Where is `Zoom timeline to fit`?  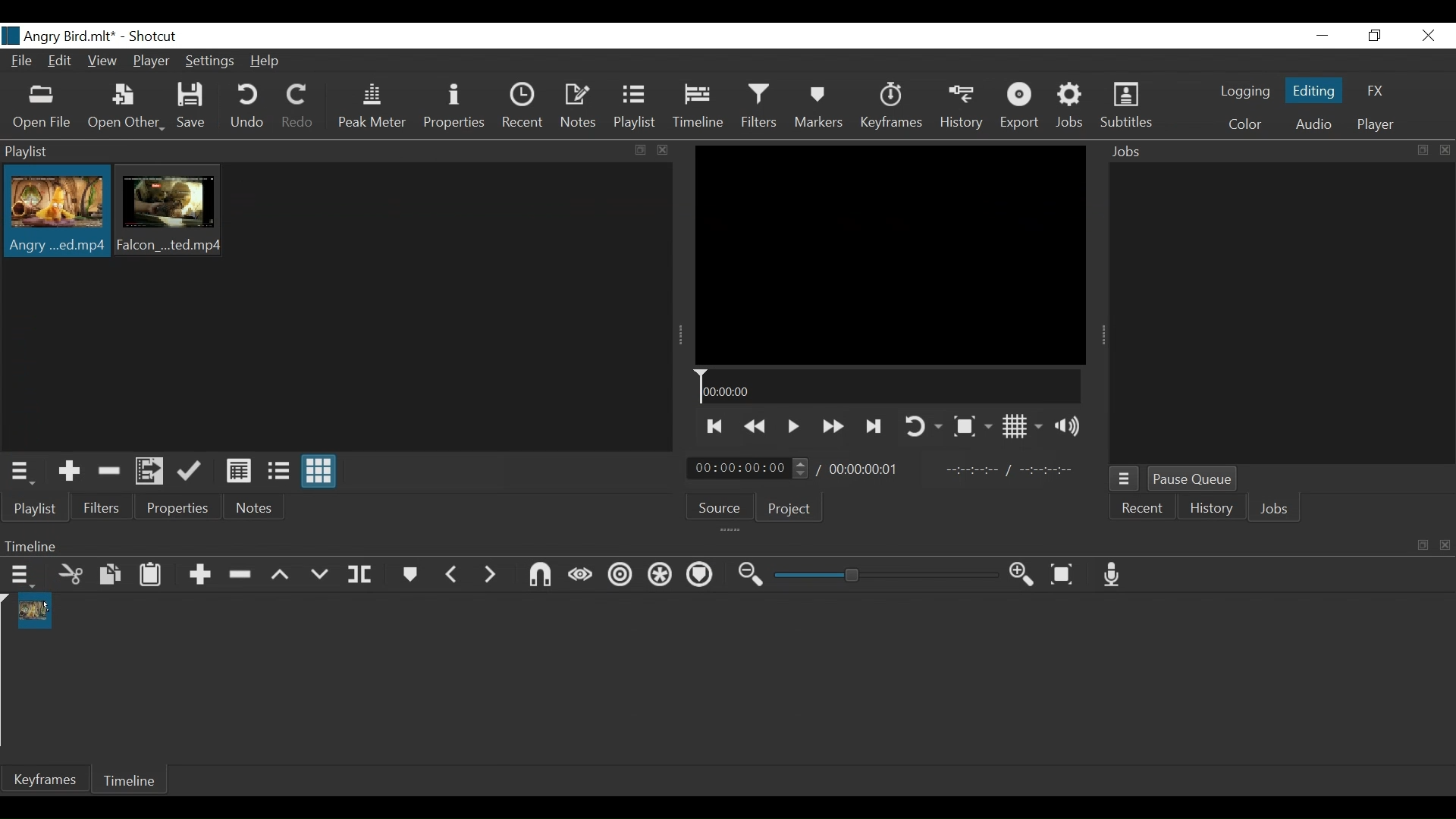 Zoom timeline to fit is located at coordinates (1065, 575).